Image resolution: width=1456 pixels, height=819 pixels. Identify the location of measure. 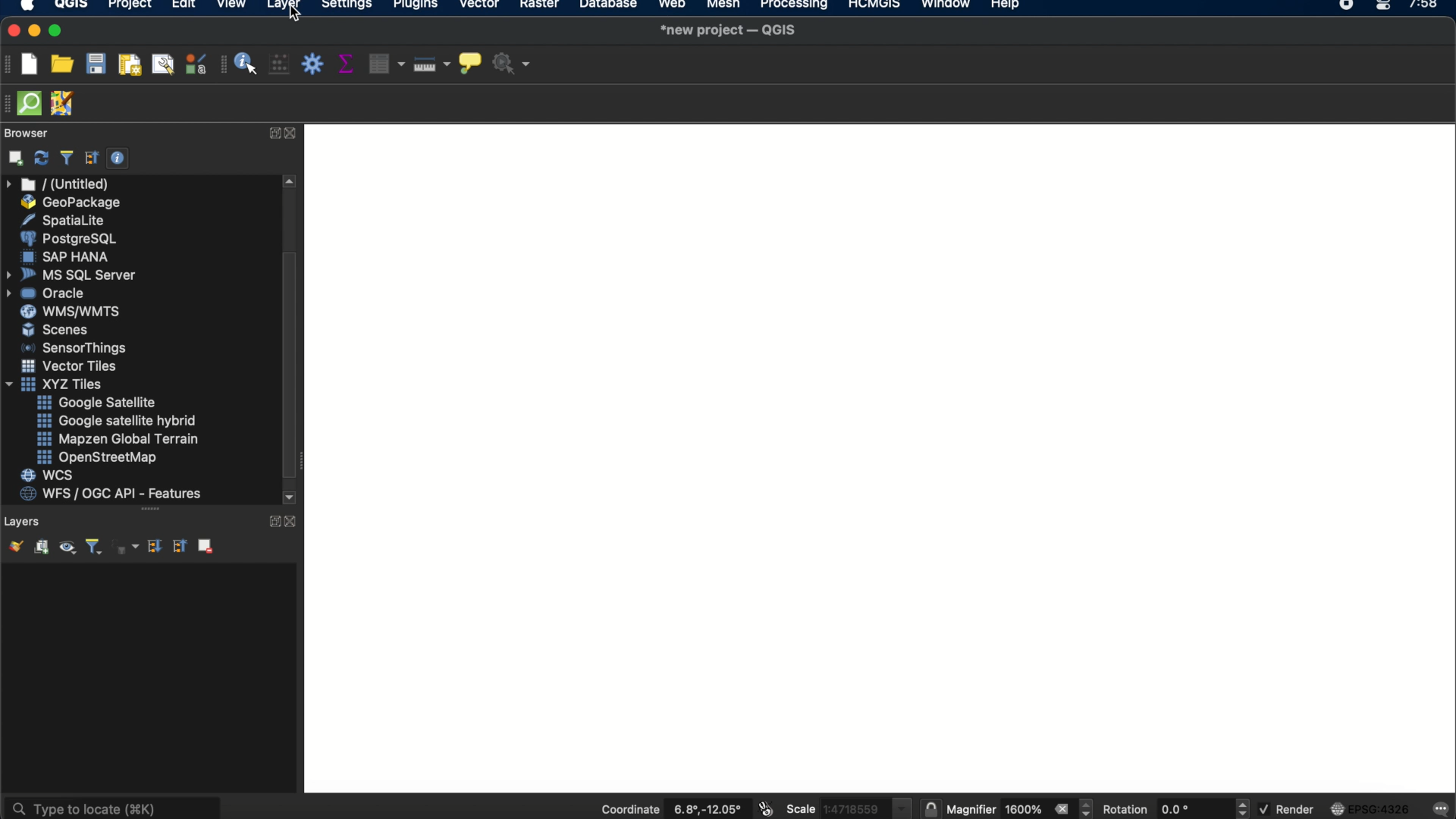
(430, 63).